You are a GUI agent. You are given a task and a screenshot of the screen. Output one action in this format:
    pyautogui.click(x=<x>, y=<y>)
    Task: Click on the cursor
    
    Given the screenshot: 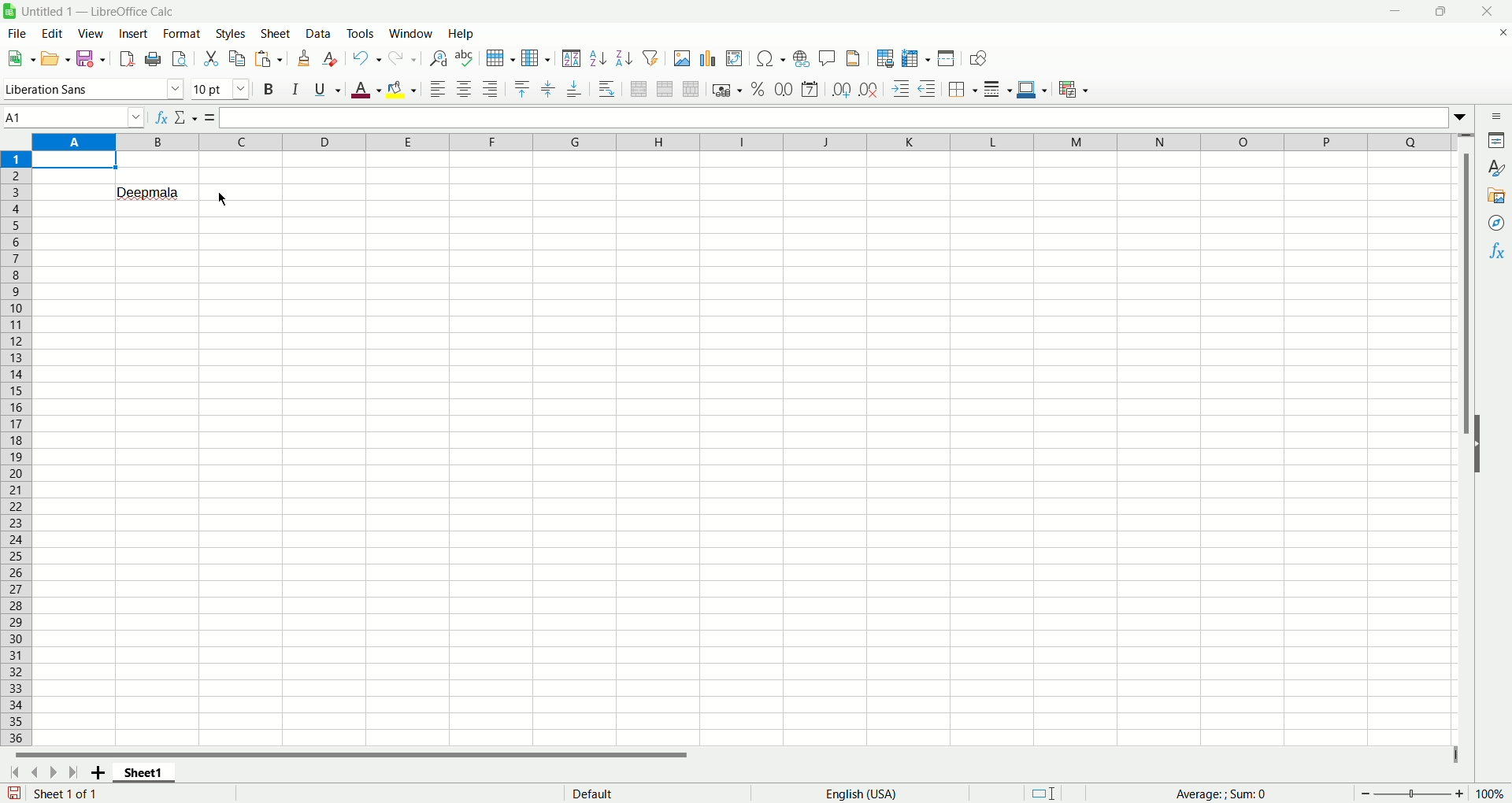 What is the action you would take?
    pyautogui.click(x=220, y=198)
    